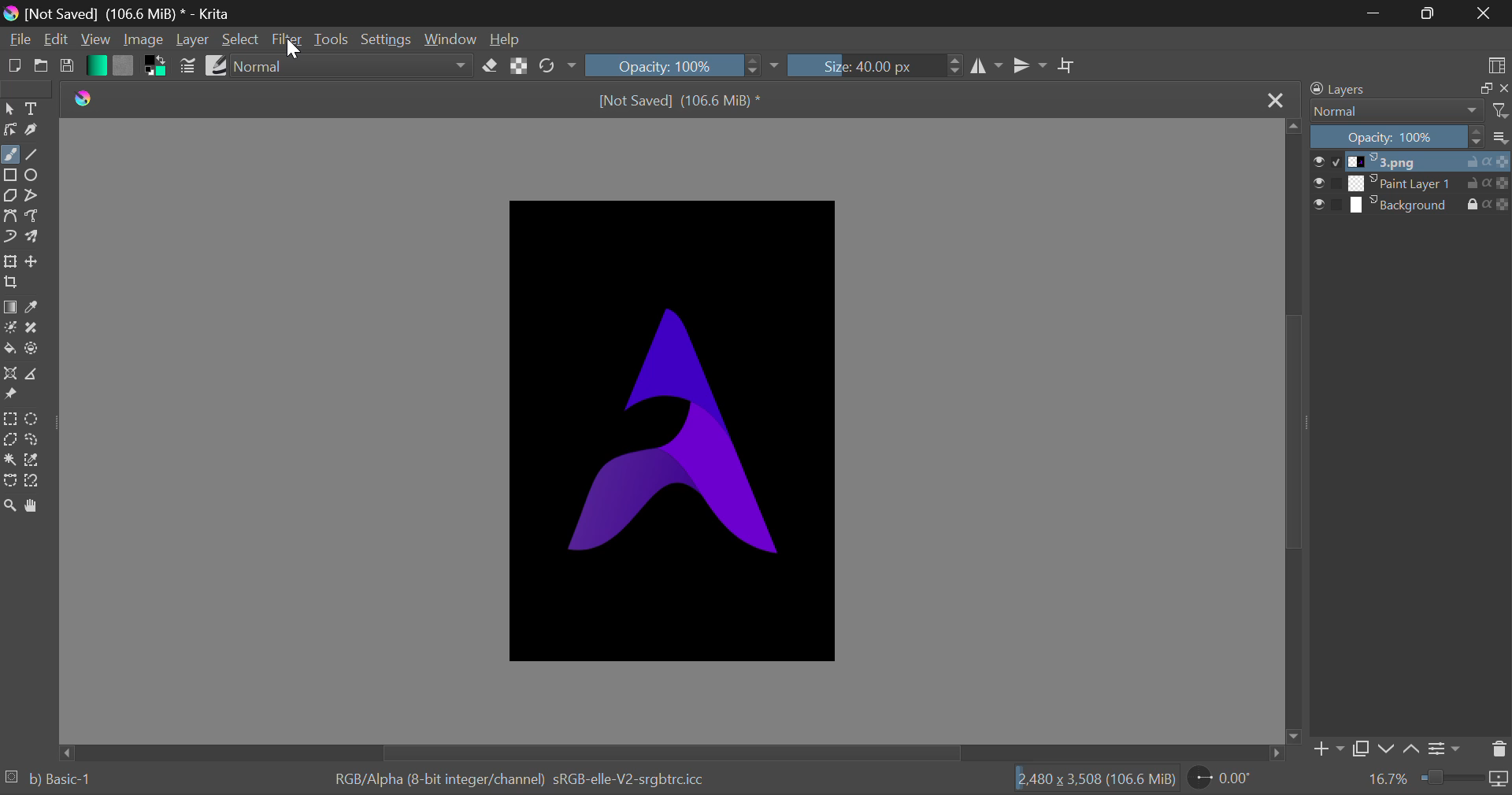  I want to click on Assistant Tool, so click(9, 375).